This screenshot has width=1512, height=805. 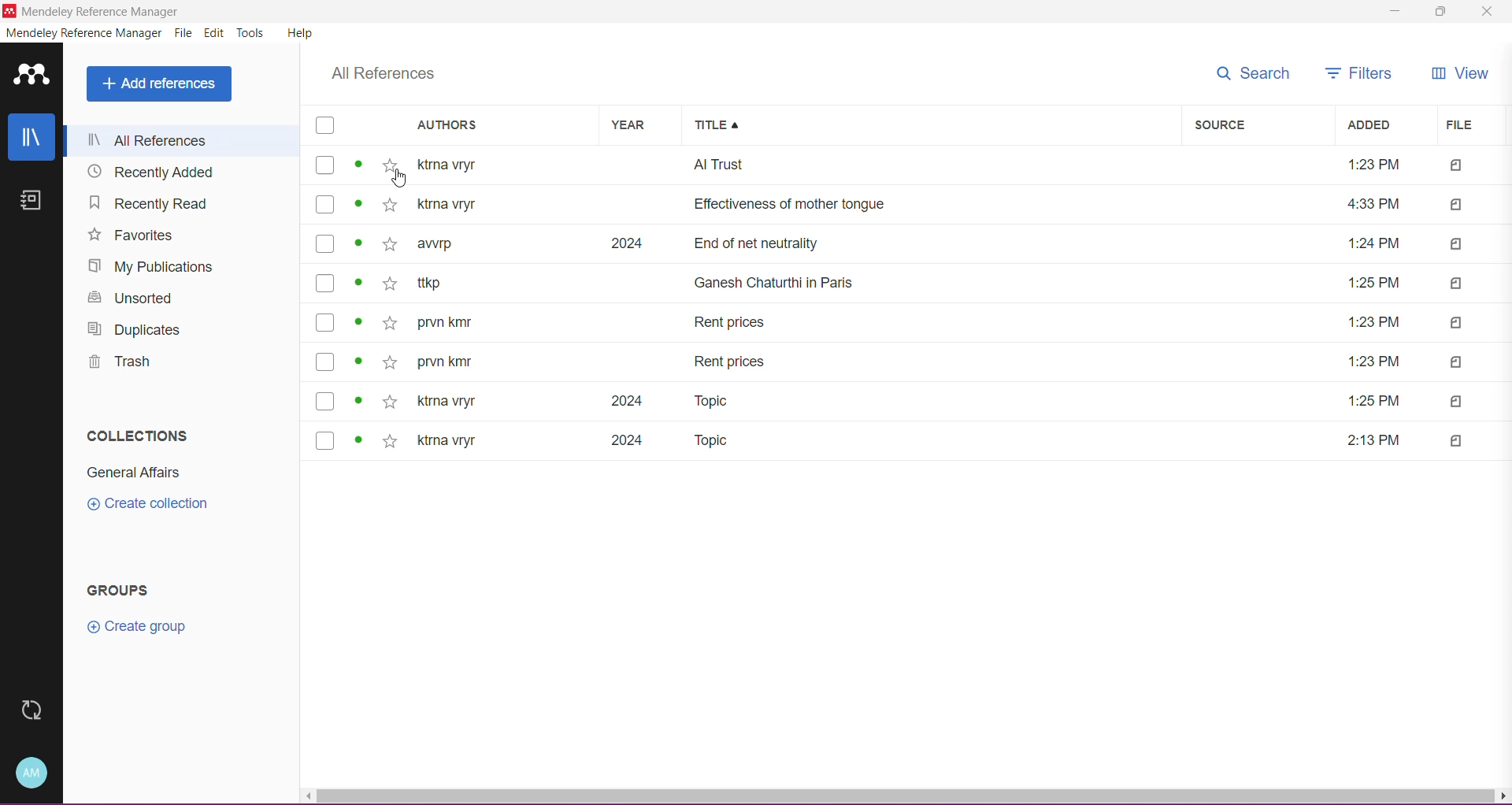 What do you see at coordinates (1457, 441) in the screenshot?
I see `Indicates file type` at bounding box center [1457, 441].